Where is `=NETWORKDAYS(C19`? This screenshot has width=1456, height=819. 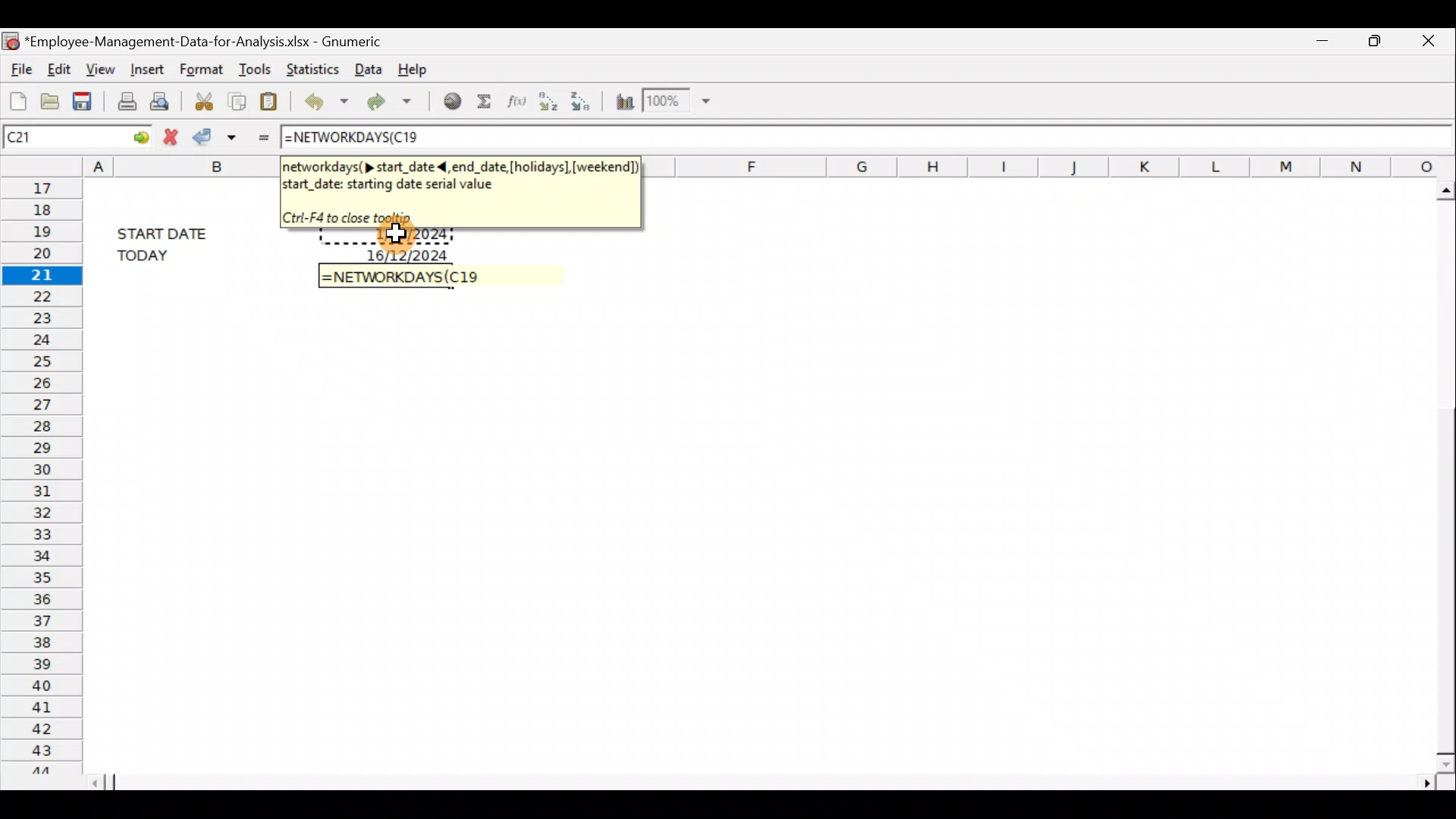 =NETWORKDAYS(C19 is located at coordinates (351, 139).